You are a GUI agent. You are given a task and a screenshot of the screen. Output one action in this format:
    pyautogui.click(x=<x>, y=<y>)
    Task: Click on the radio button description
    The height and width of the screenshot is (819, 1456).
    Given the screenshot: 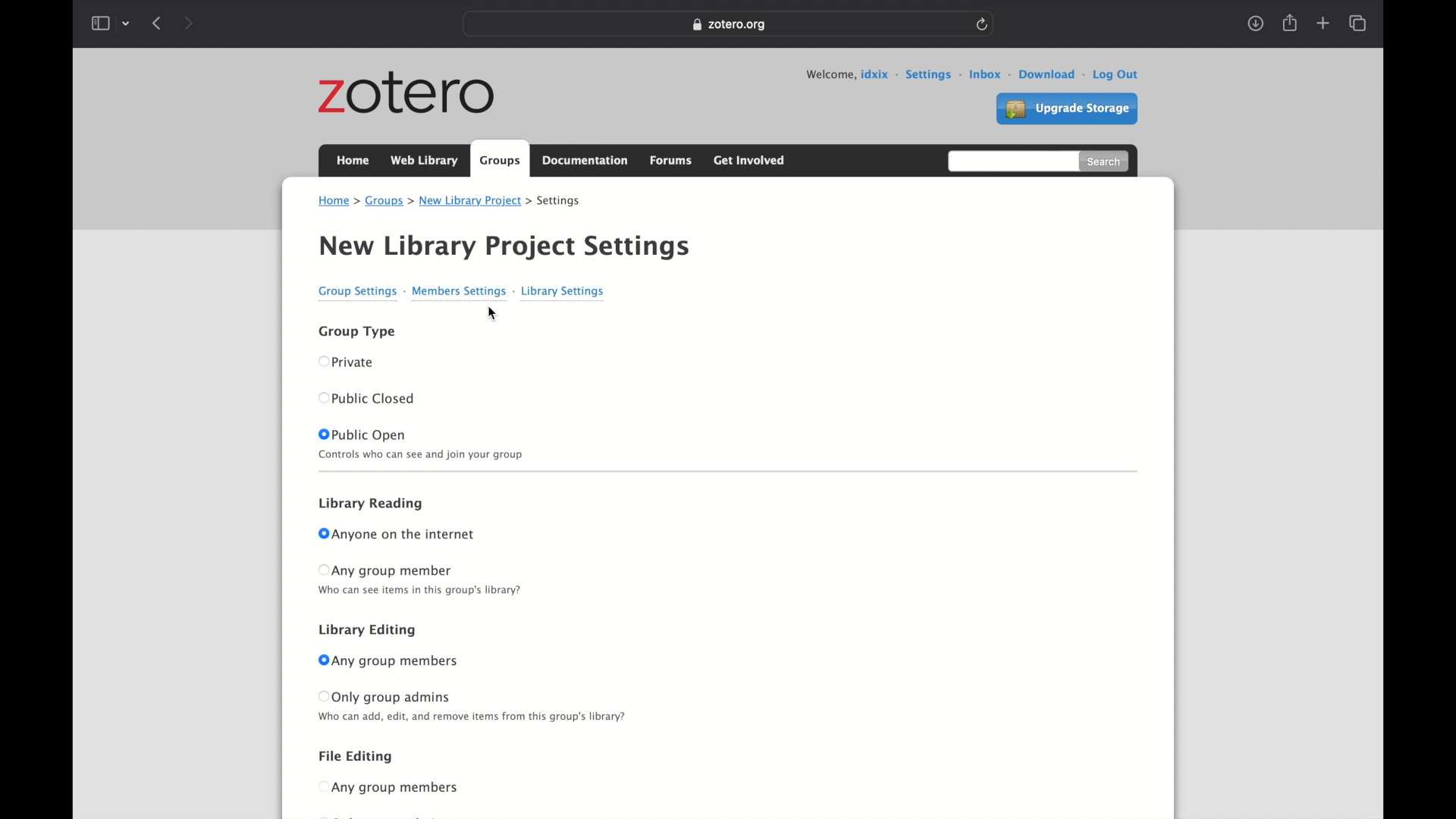 What is the action you would take?
    pyautogui.click(x=473, y=717)
    